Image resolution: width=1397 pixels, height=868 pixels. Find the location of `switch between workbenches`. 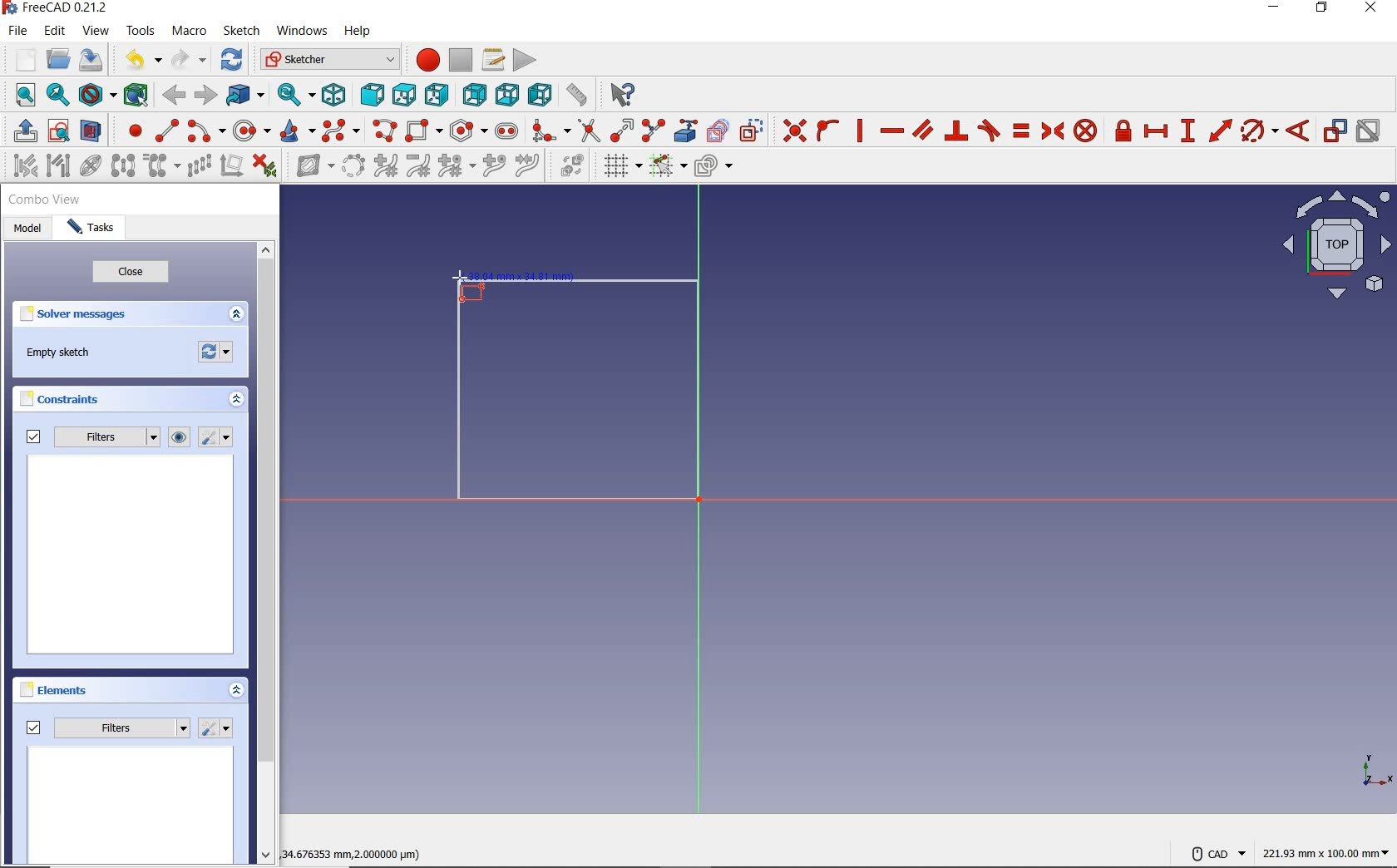

switch between workbenches is located at coordinates (327, 60).